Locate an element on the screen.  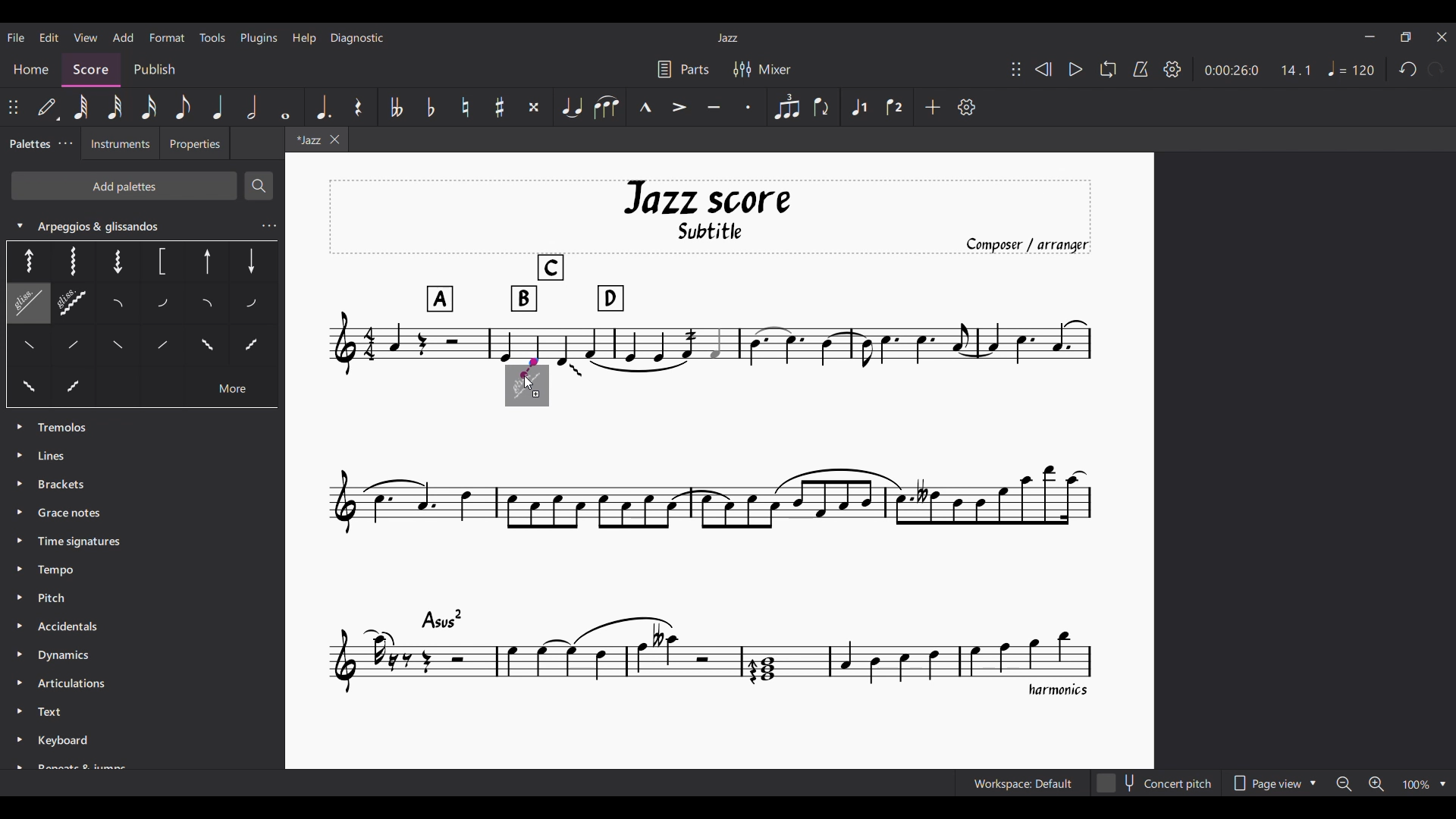
Palettes is located at coordinates (29, 143).